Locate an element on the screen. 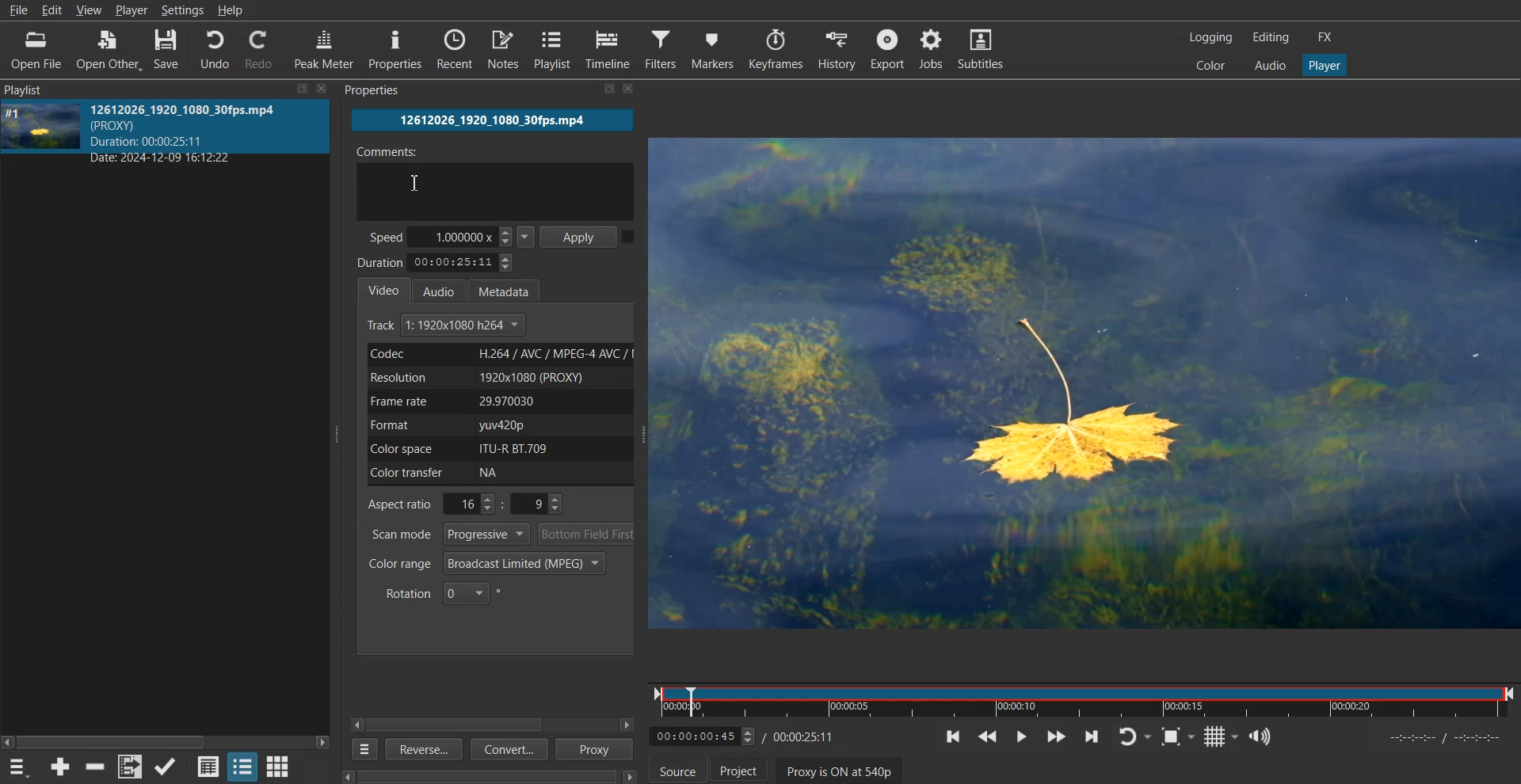 This screenshot has width=1521, height=784. Remove cut is located at coordinates (97, 767).